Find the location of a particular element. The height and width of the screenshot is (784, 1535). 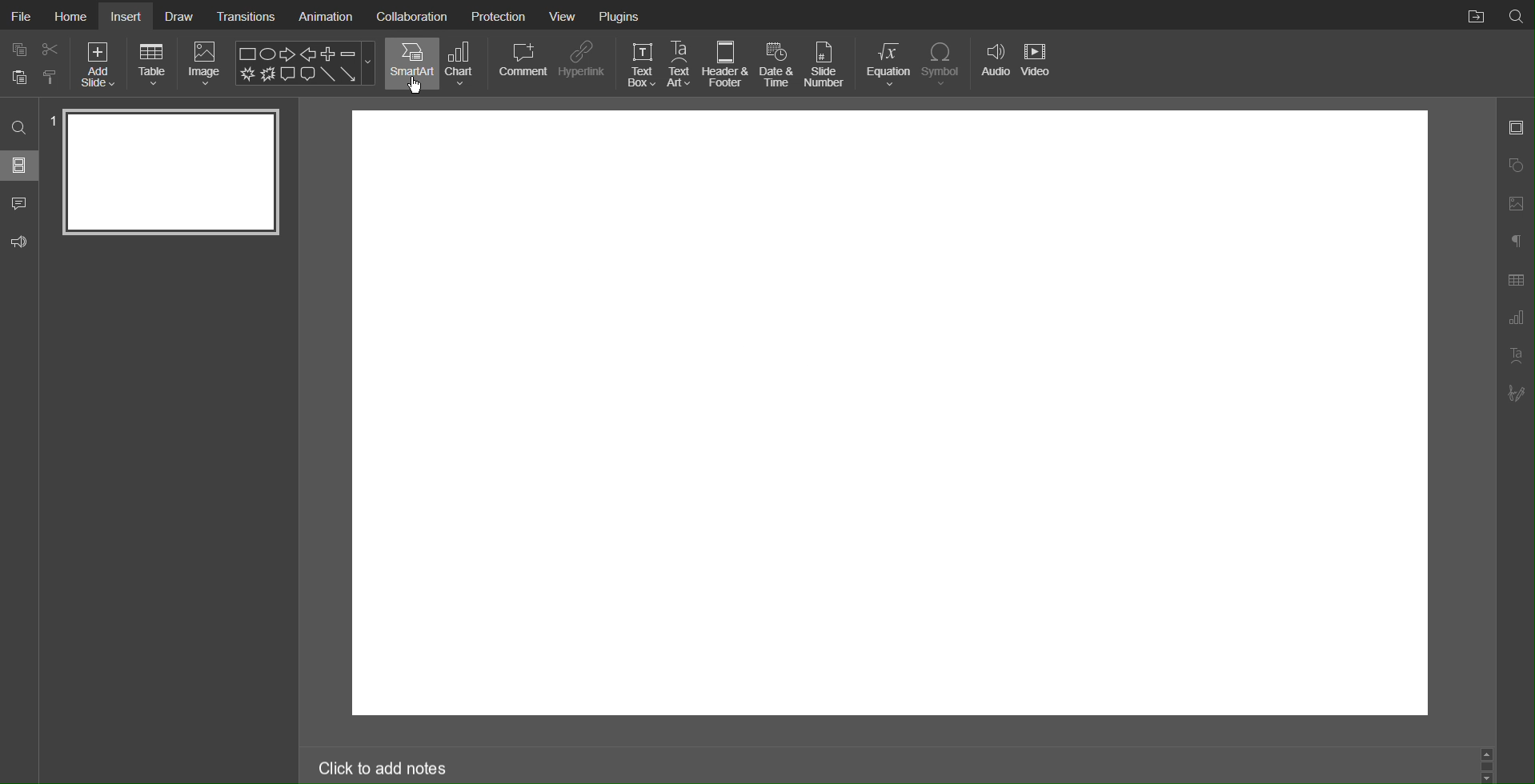

Image is located at coordinates (205, 63).